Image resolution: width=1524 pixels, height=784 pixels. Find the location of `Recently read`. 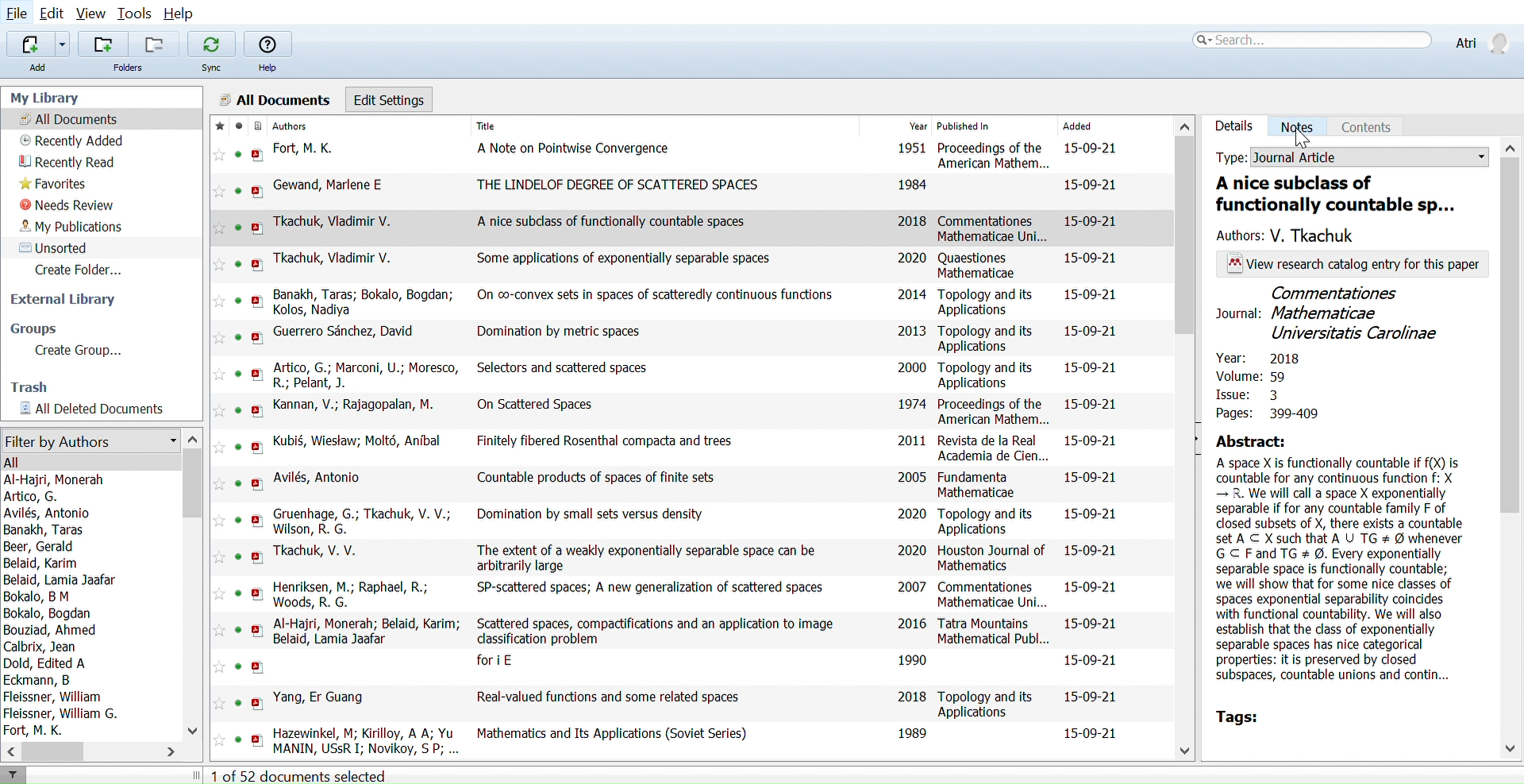

Recently read is located at coordinates (70, 163).